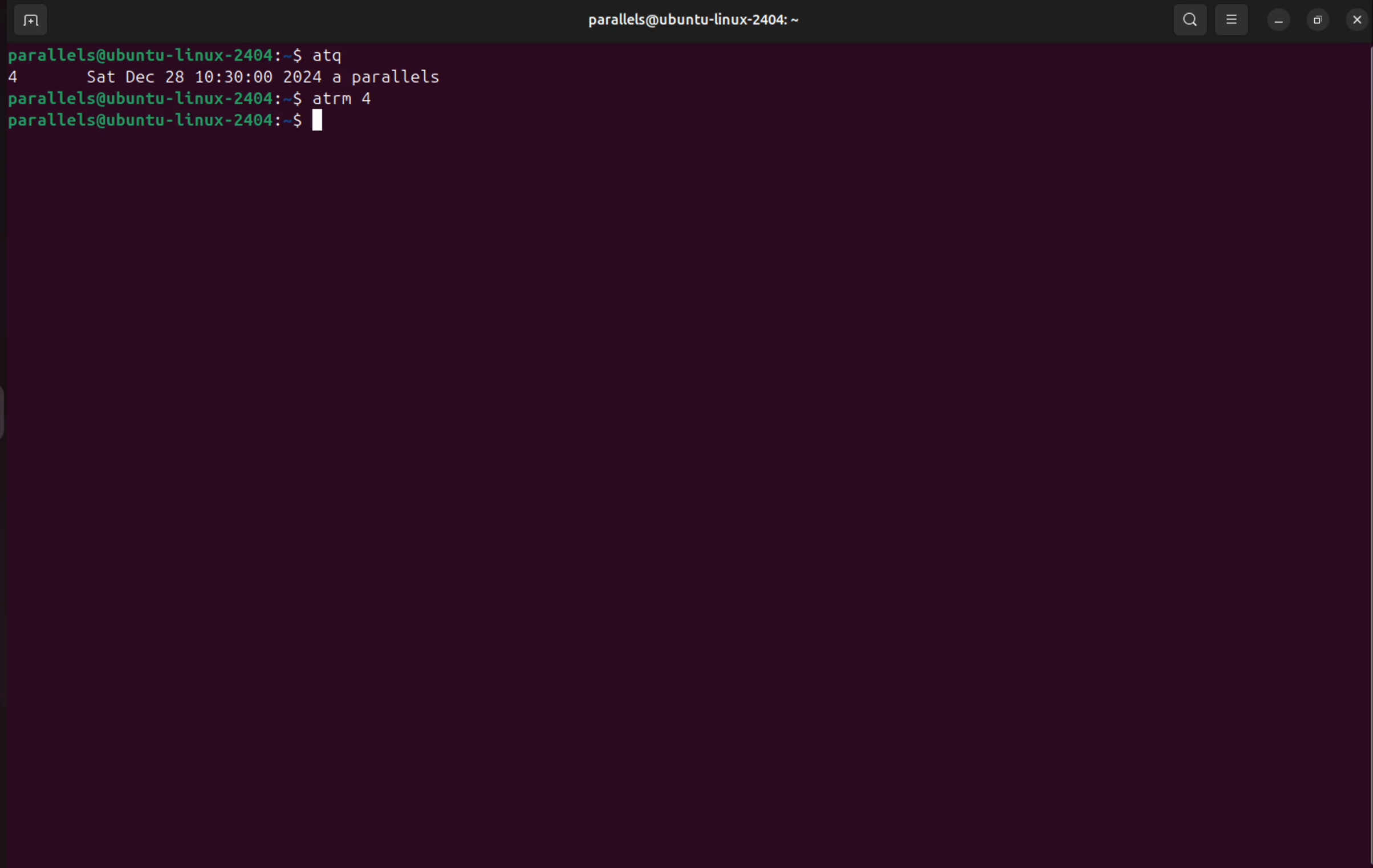 The width and height of the screenshot is (1373, 868). I want to click on Atrm 4, so click(353, 96).